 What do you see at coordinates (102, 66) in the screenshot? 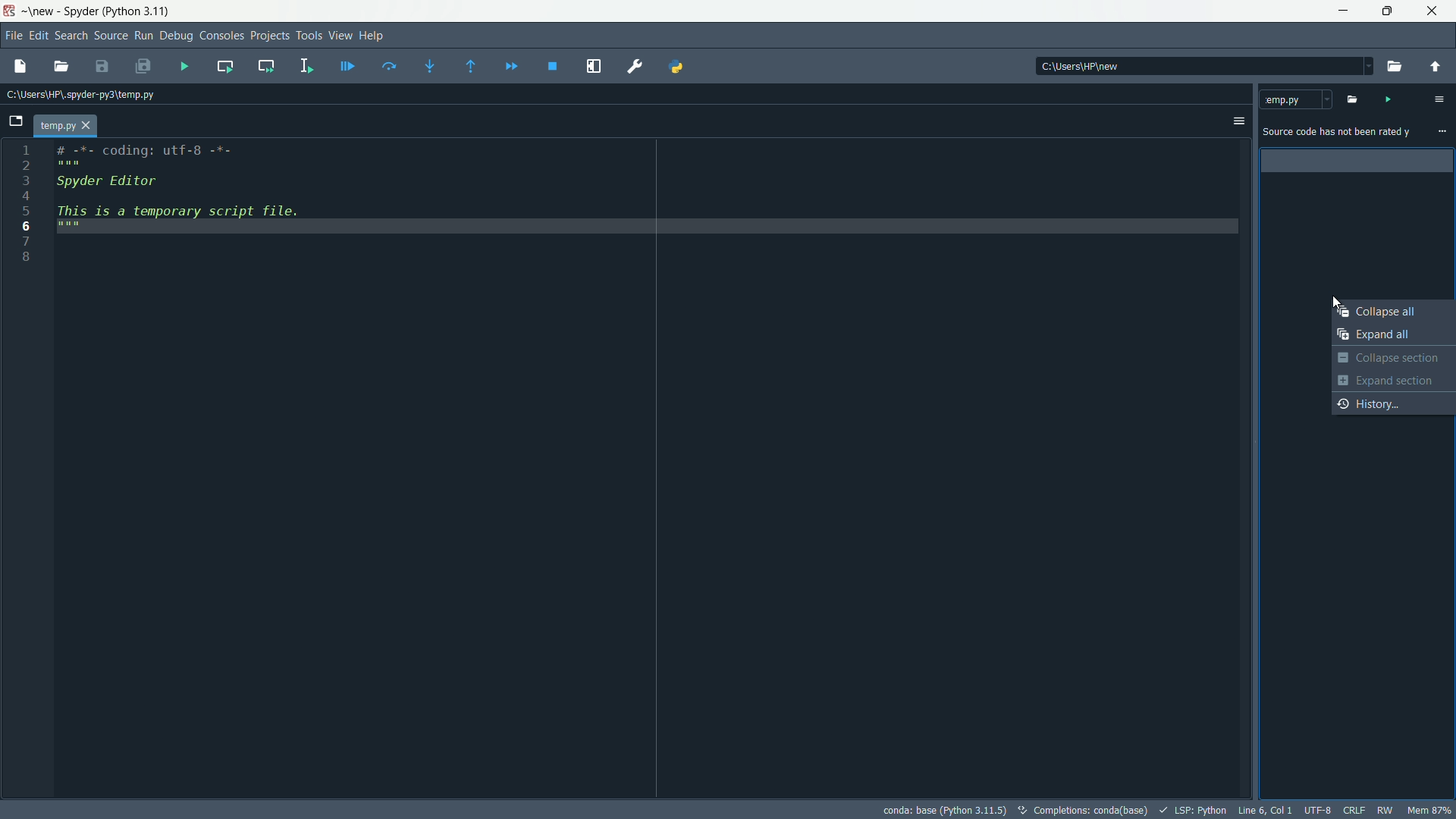
I see `save file` at bounding box center [102, 66].